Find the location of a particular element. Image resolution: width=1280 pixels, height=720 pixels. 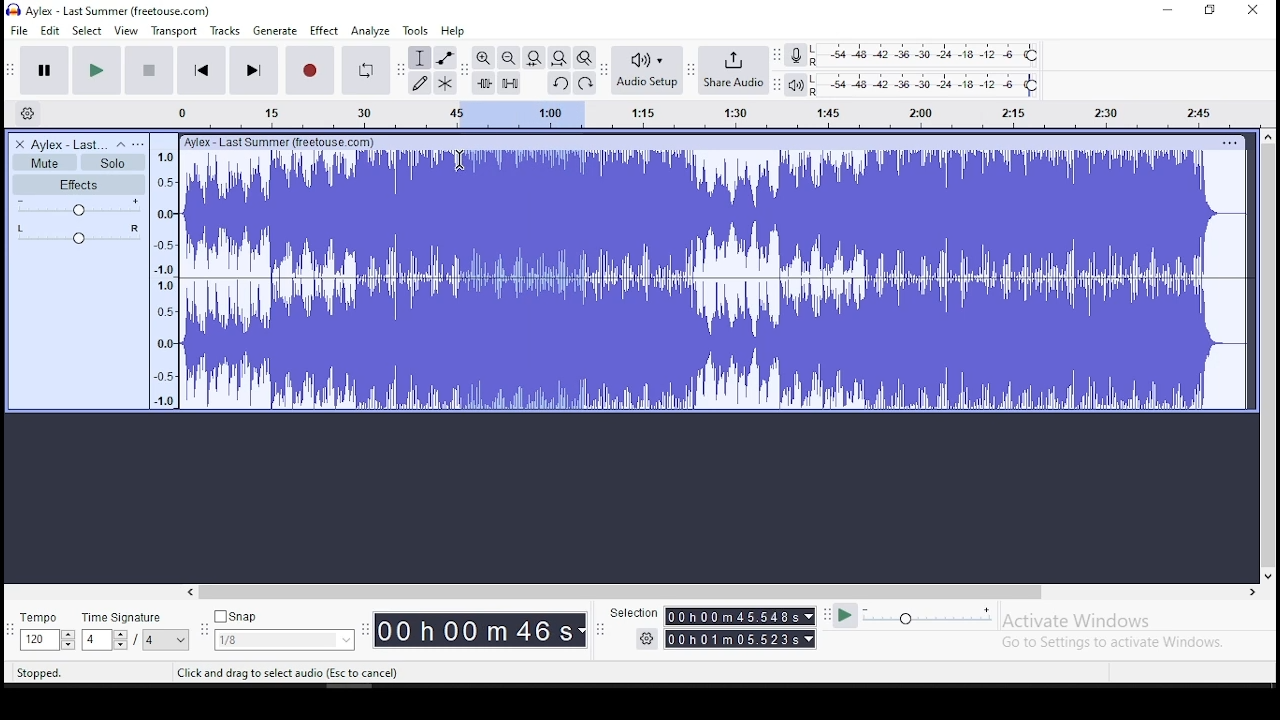

minimize is located at coordinates (1168, 10).